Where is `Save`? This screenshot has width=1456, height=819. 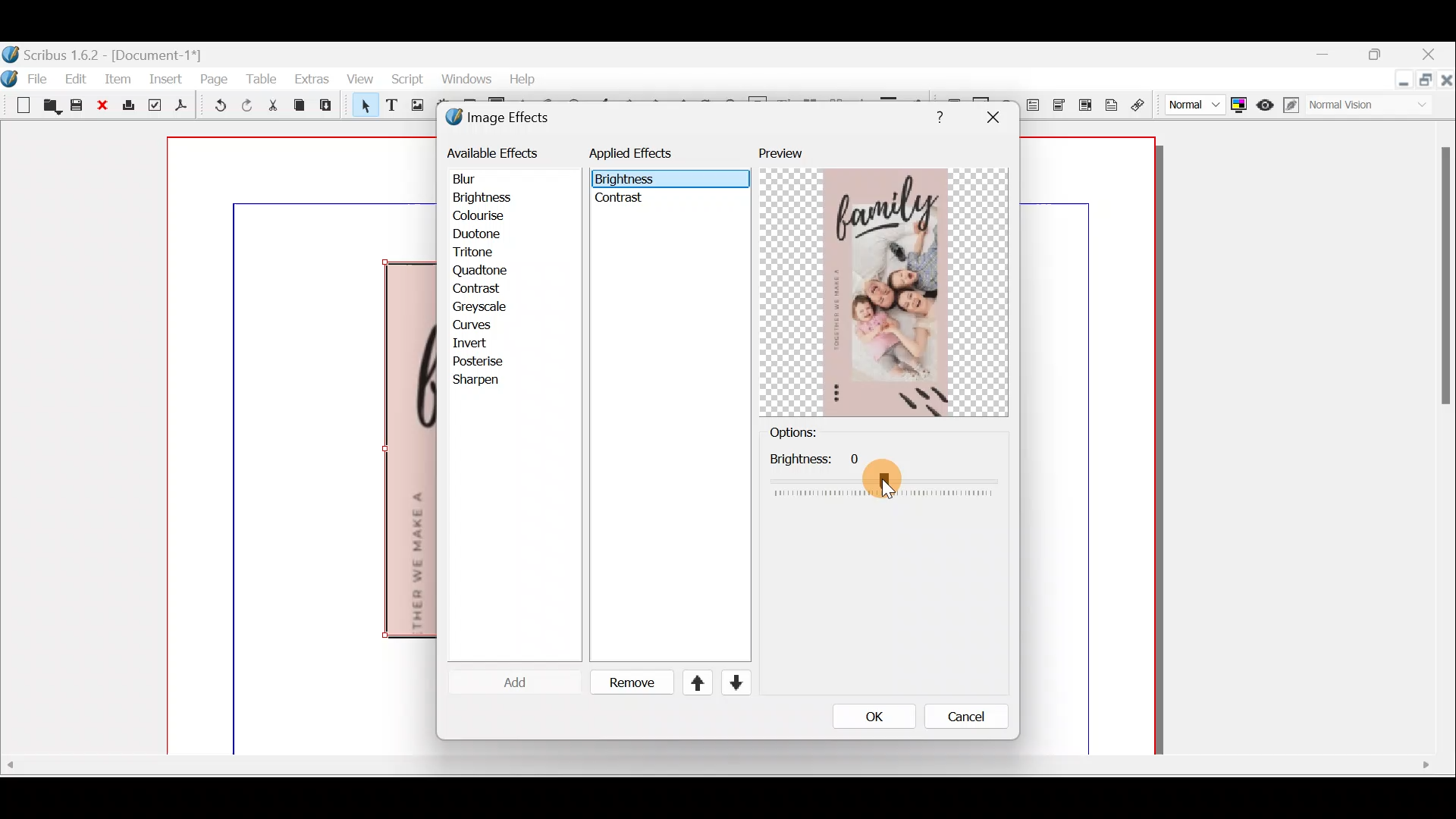
Save is located at coordinates (79, 107).